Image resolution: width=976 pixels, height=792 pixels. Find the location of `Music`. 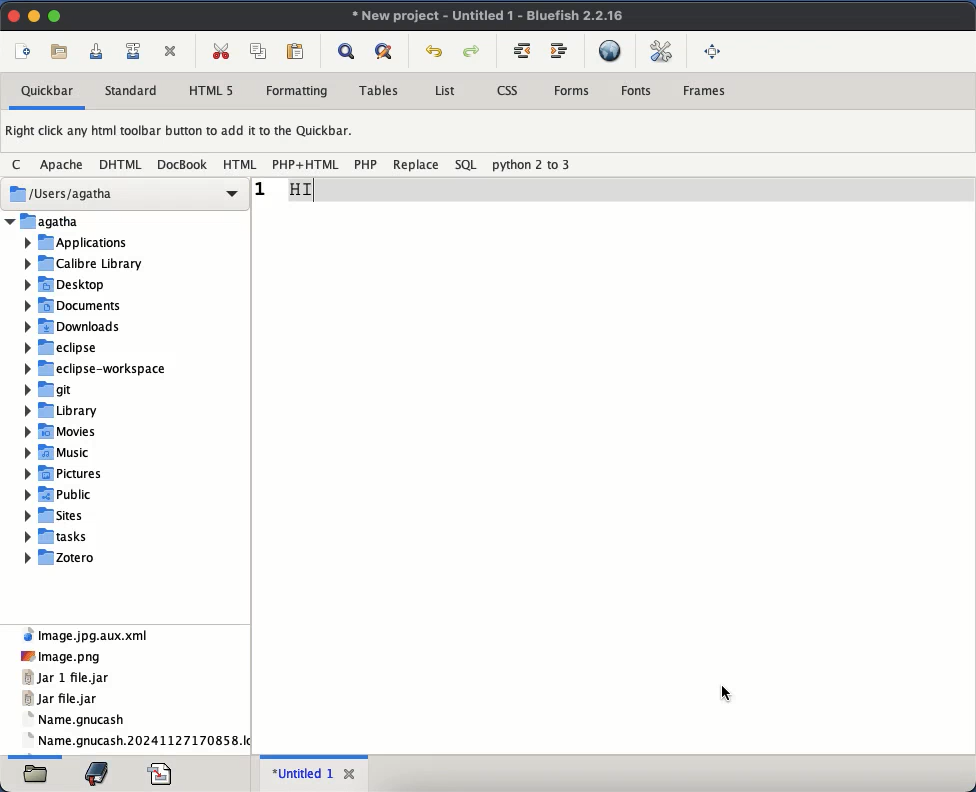

Music is located at coordinates (58, 451).